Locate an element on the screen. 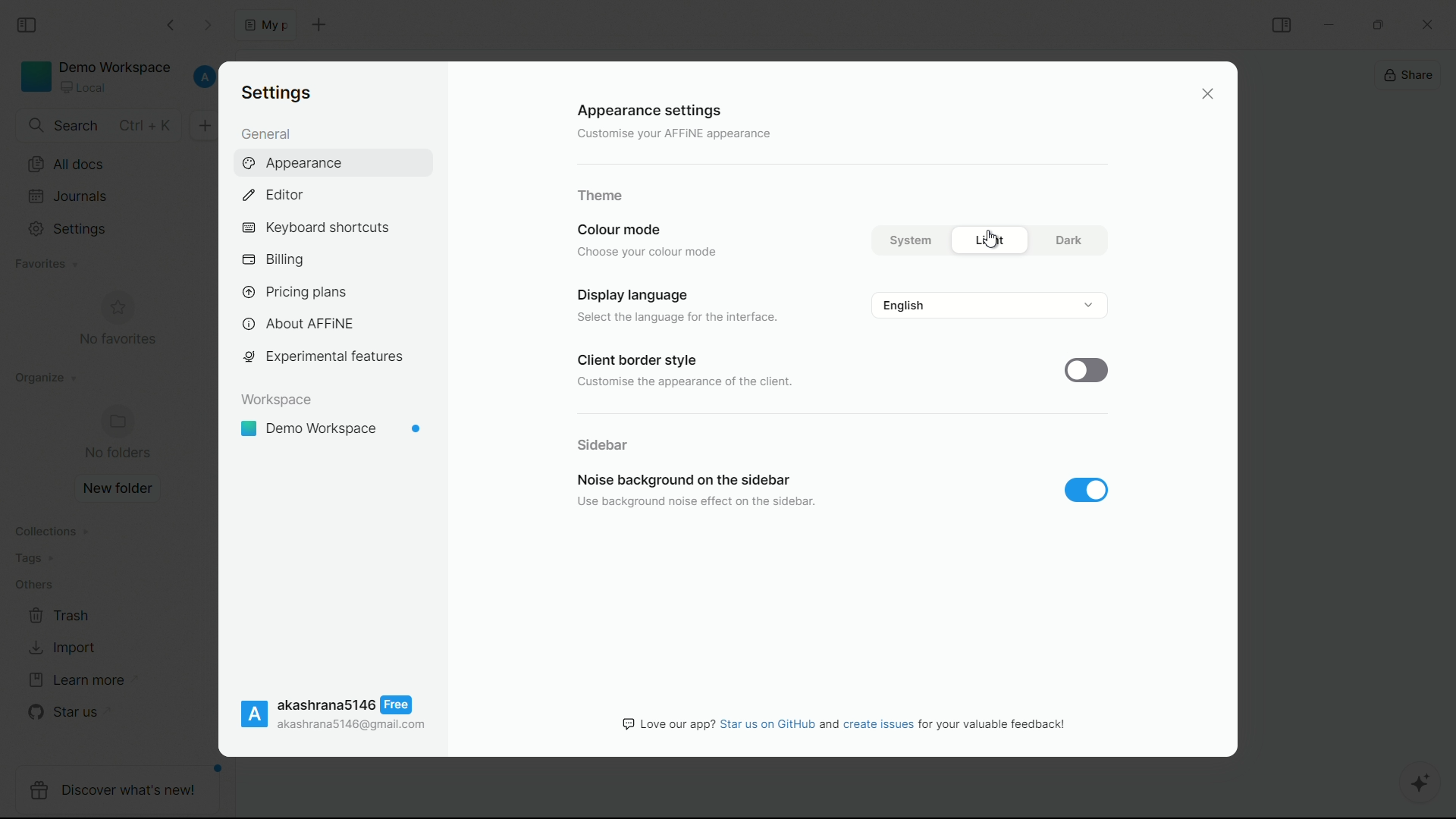 This screenshot has height=819, width=1456. journals is located at coordinates (69, 196).